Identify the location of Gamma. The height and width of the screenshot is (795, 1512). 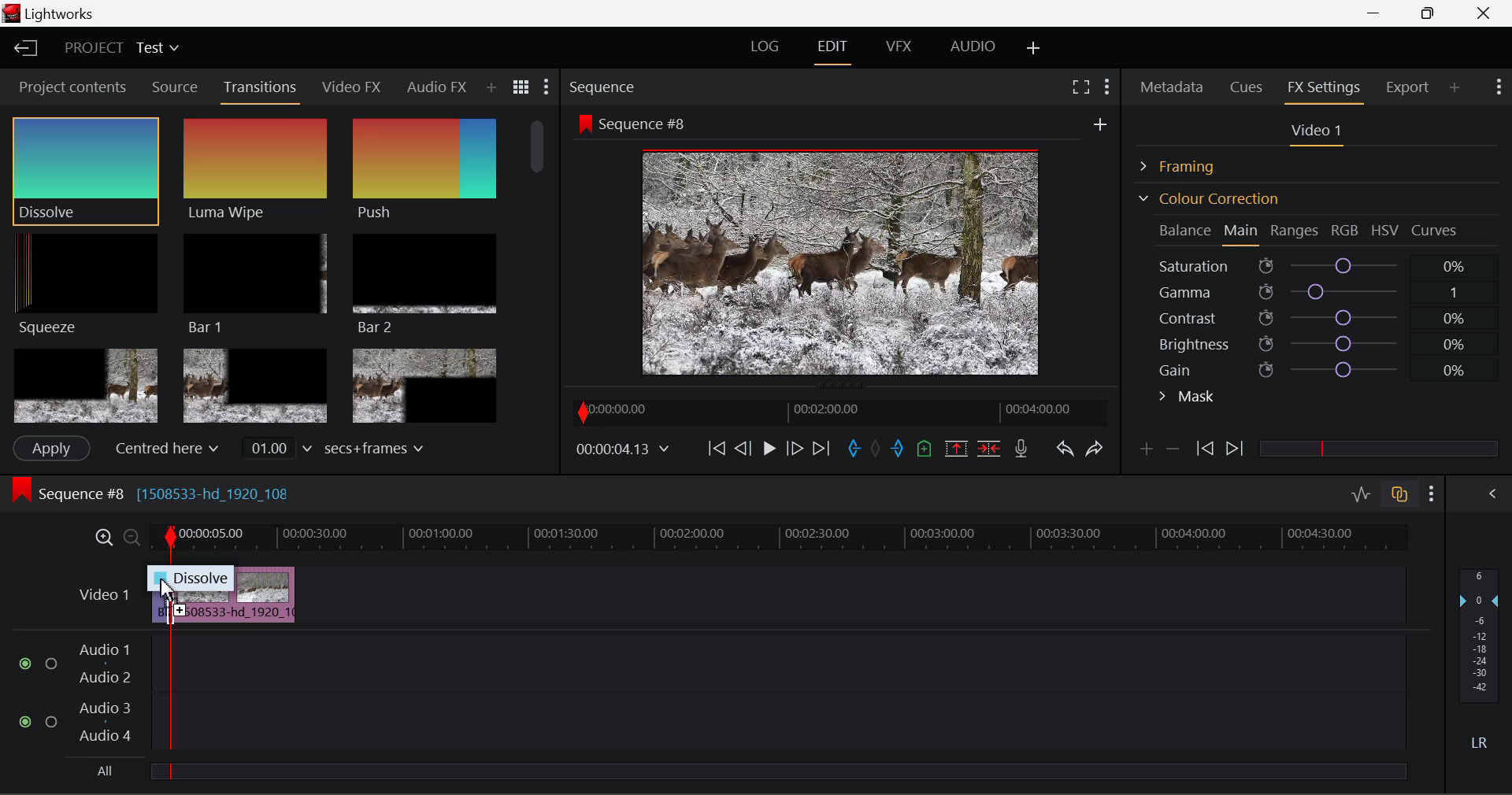
(1320, 292).